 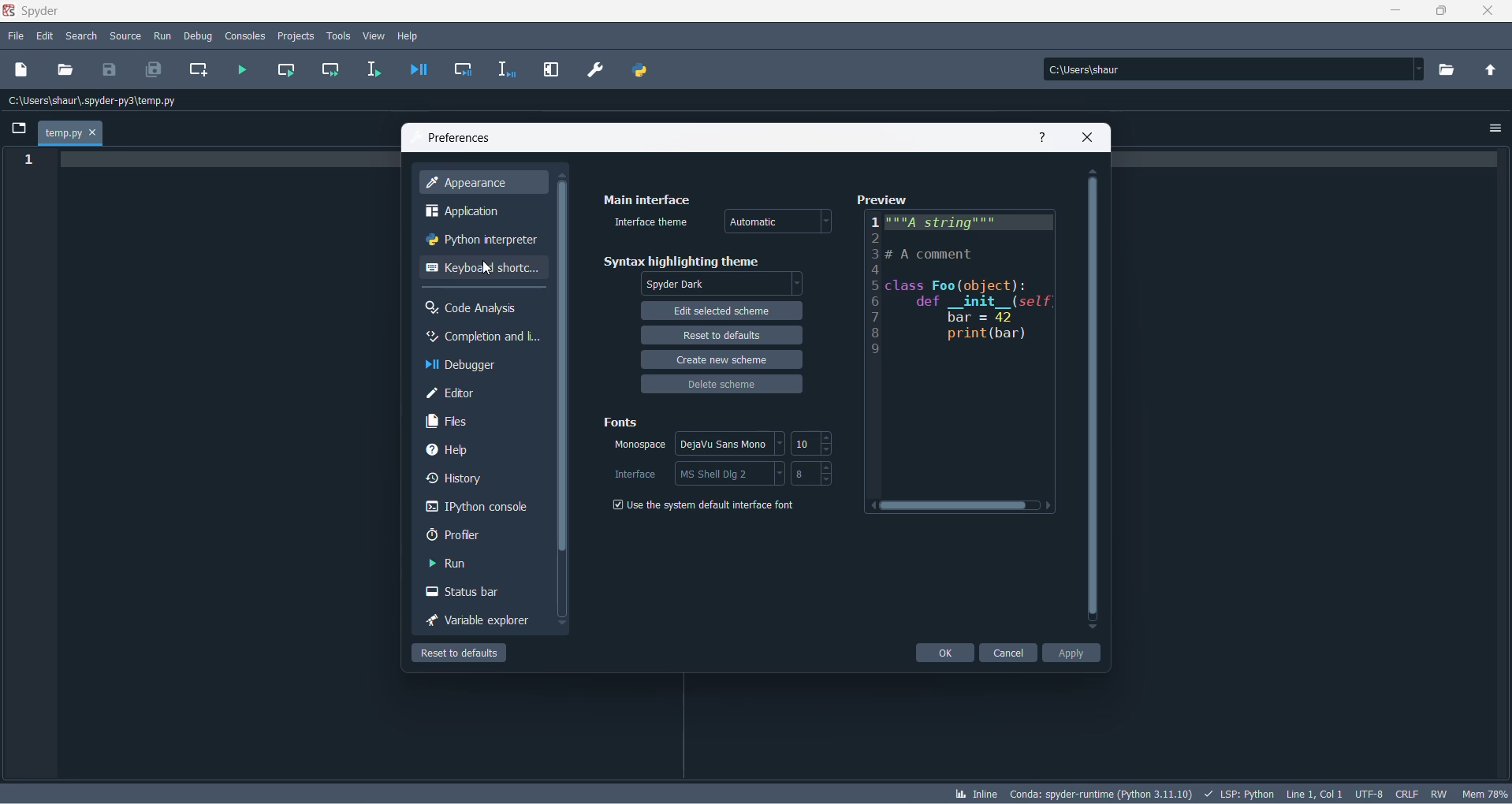 What do you see at coordinates (458, 139) in the screenshot?
I see `preferences text` at bounding box center [458, 139].